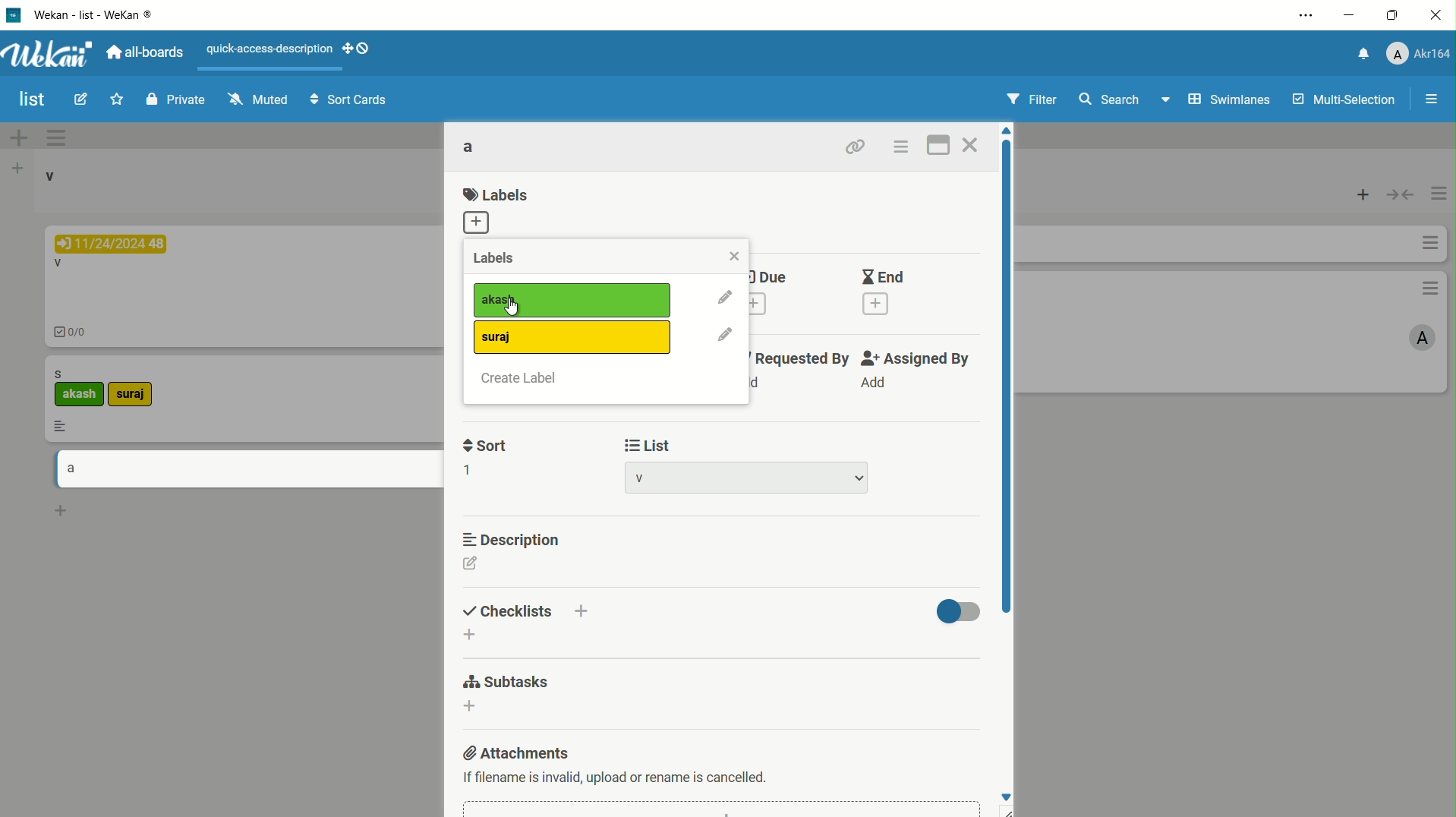 This screenshot has width=1456, height=817. Describe the element at coordinates (471, 635) in the screenshot. I see `add checklist` at that location.